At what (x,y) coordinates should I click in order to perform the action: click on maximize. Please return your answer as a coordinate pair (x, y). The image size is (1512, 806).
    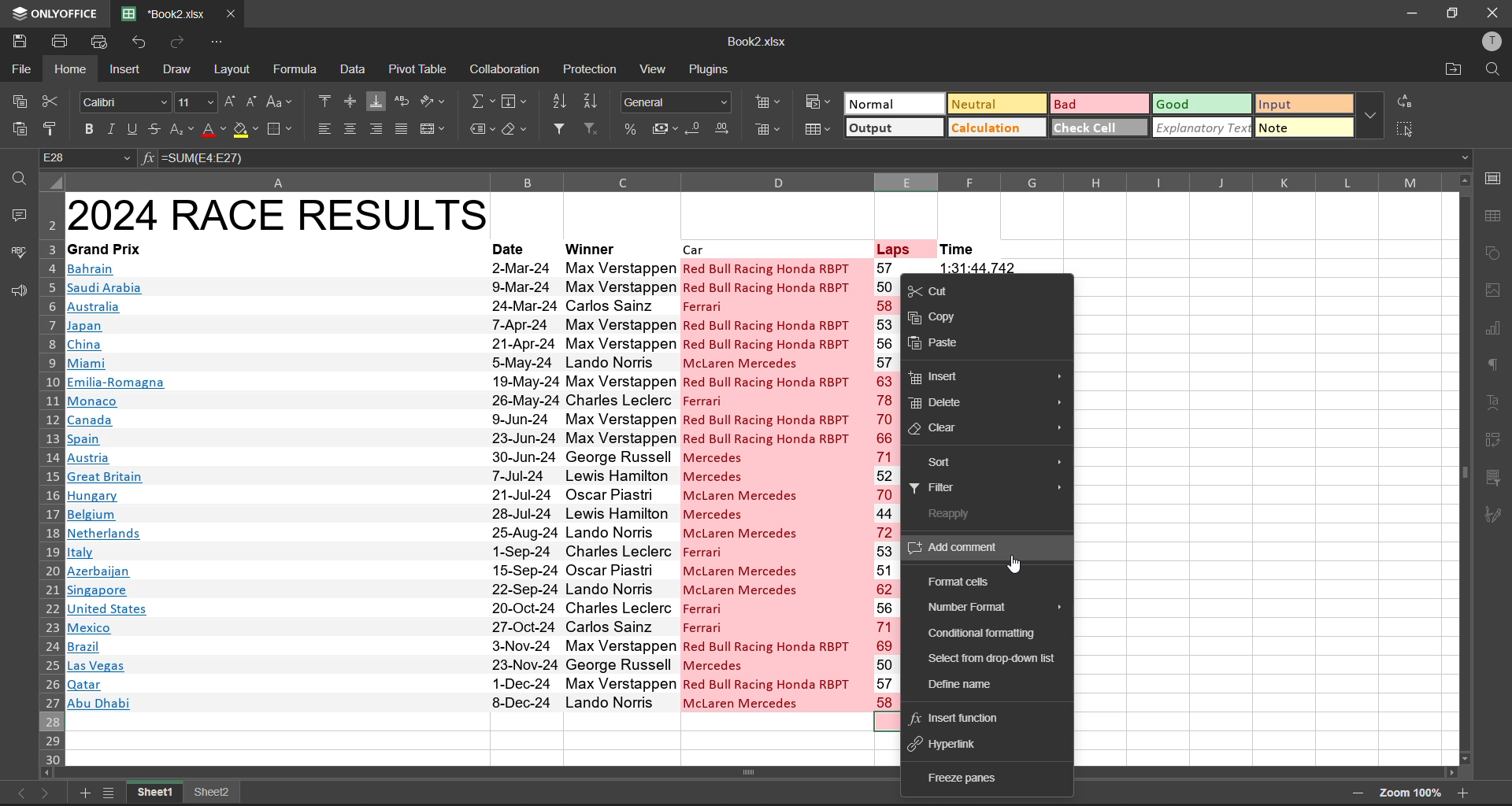
    Looking at the image, I should click on (1450, 12).